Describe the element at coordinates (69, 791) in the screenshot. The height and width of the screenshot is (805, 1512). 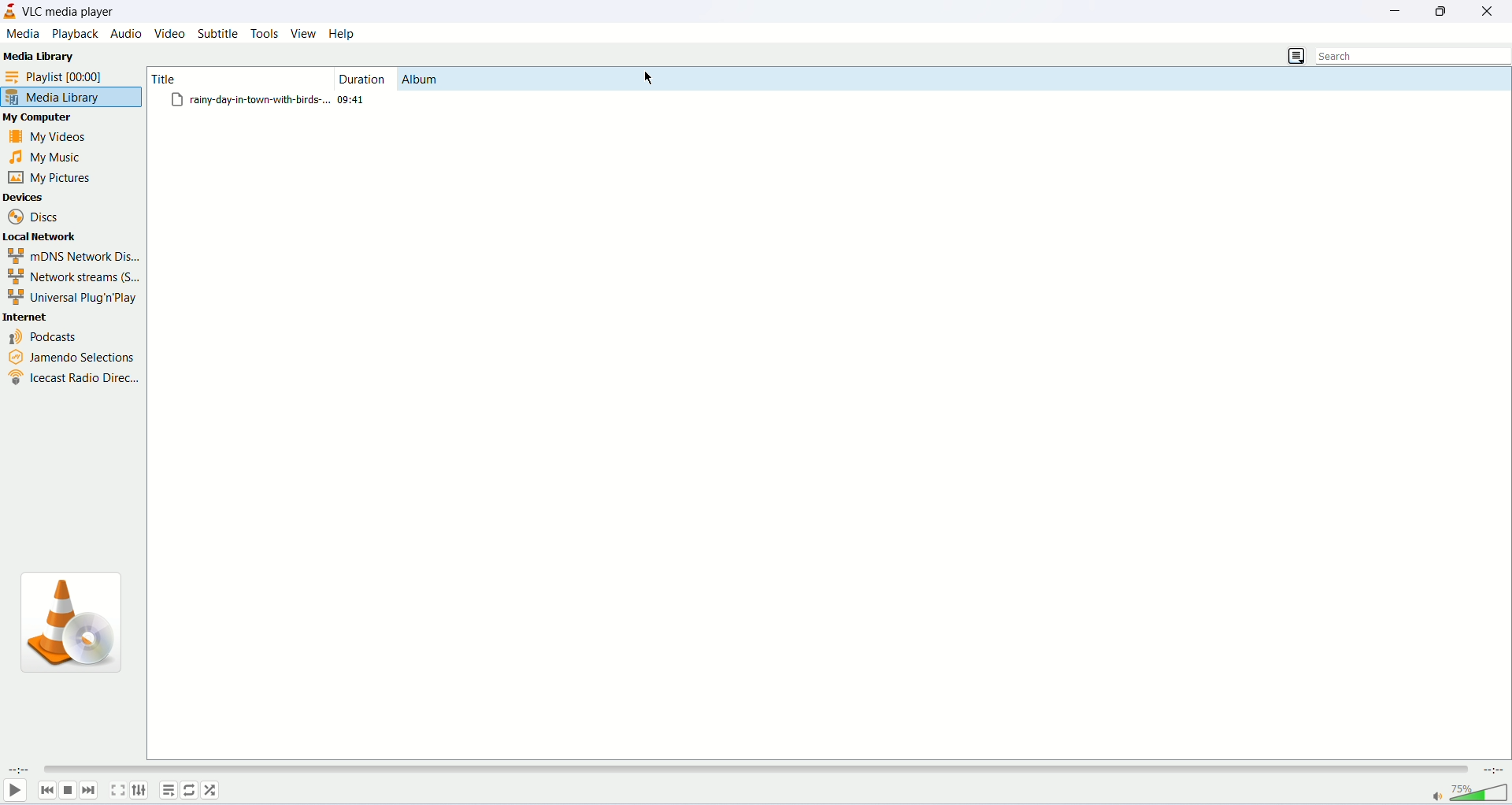
I see `stop` at that location.